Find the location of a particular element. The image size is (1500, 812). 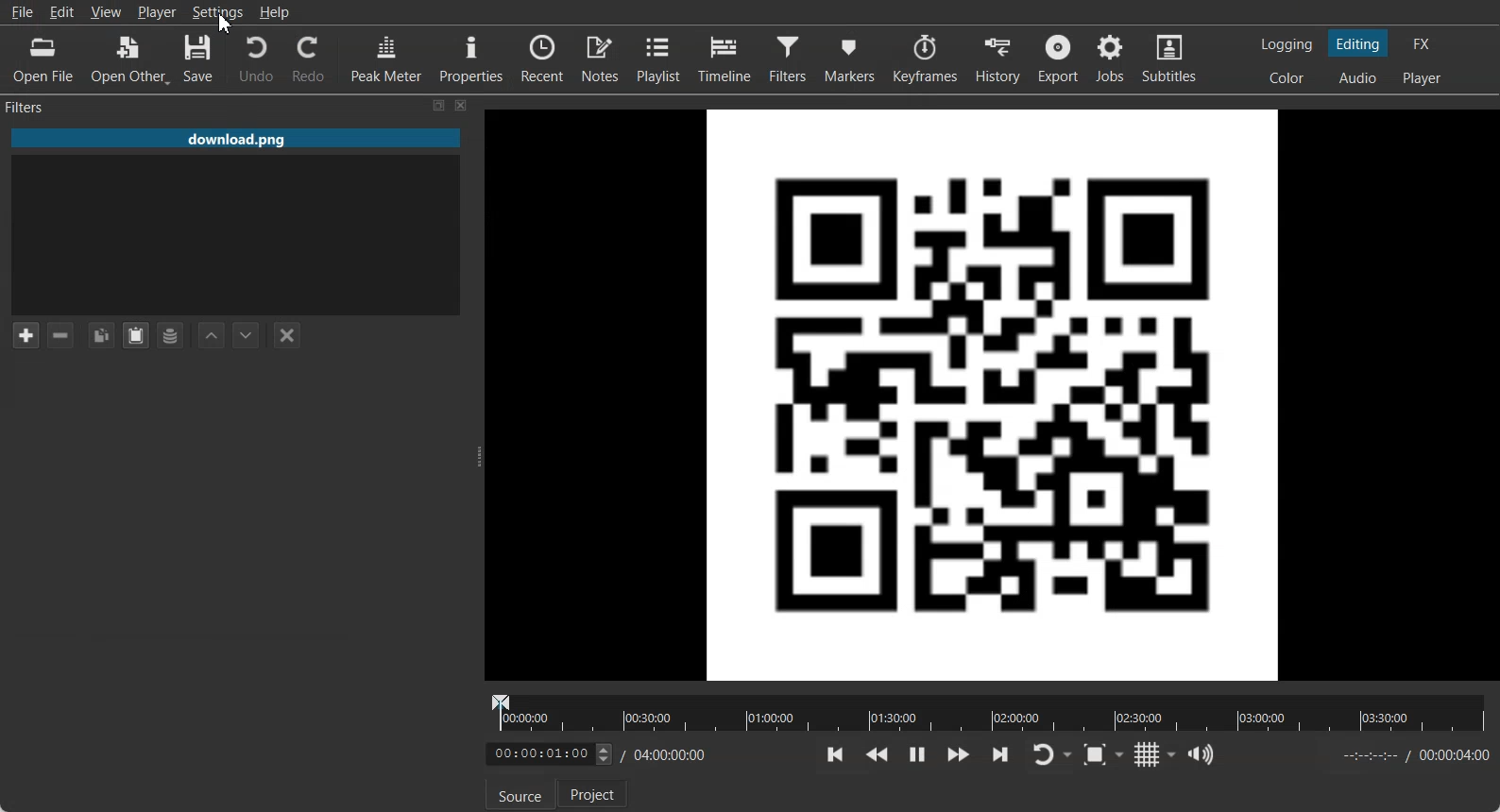

Switch to the Logging layout is located at coordinates (1287, 44).